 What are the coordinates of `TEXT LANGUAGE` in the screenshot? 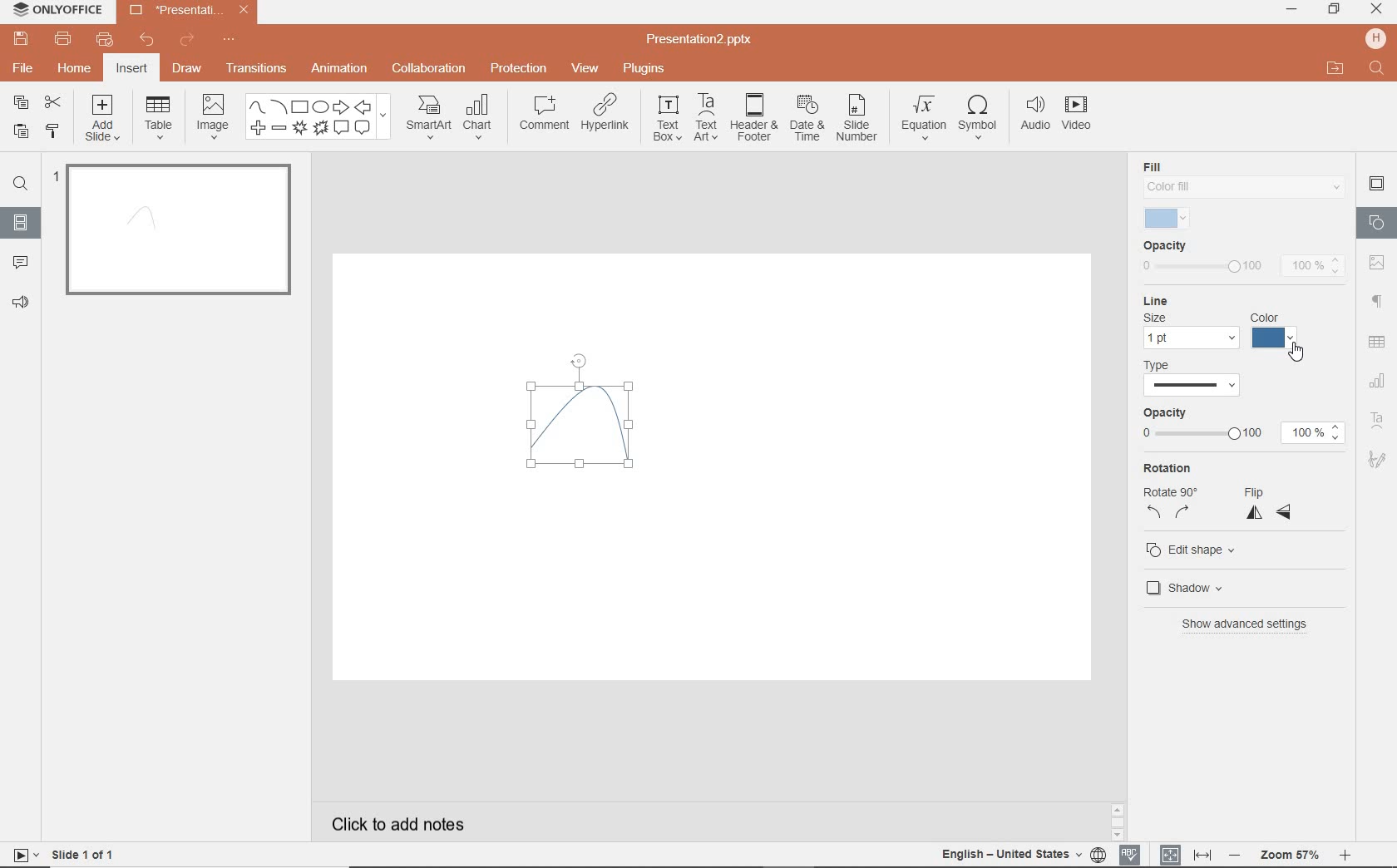 It's located at (1023, 852).